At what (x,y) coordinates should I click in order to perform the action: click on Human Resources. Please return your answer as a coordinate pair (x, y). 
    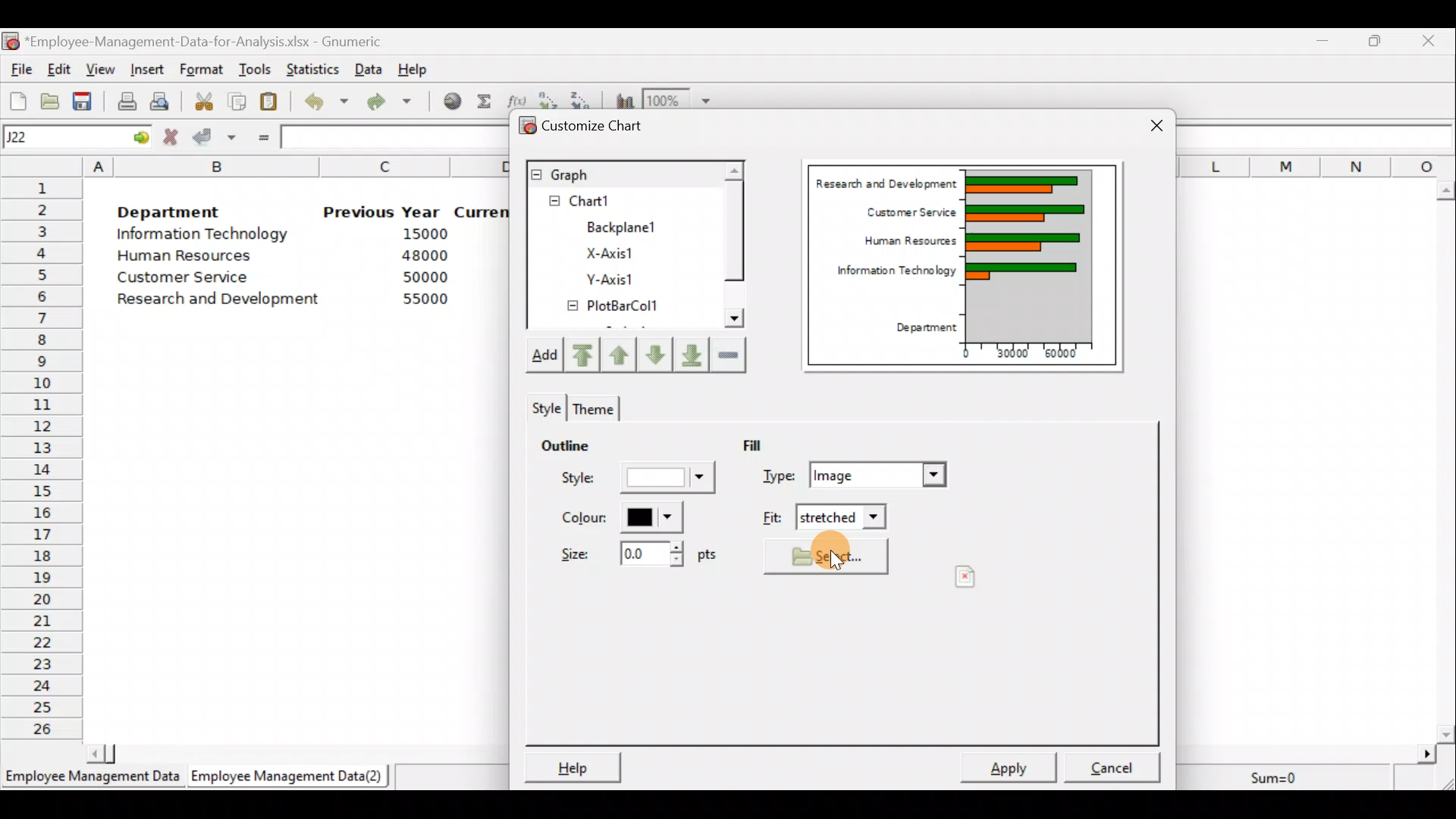
    Looking at the image, I should click on (196, 257).